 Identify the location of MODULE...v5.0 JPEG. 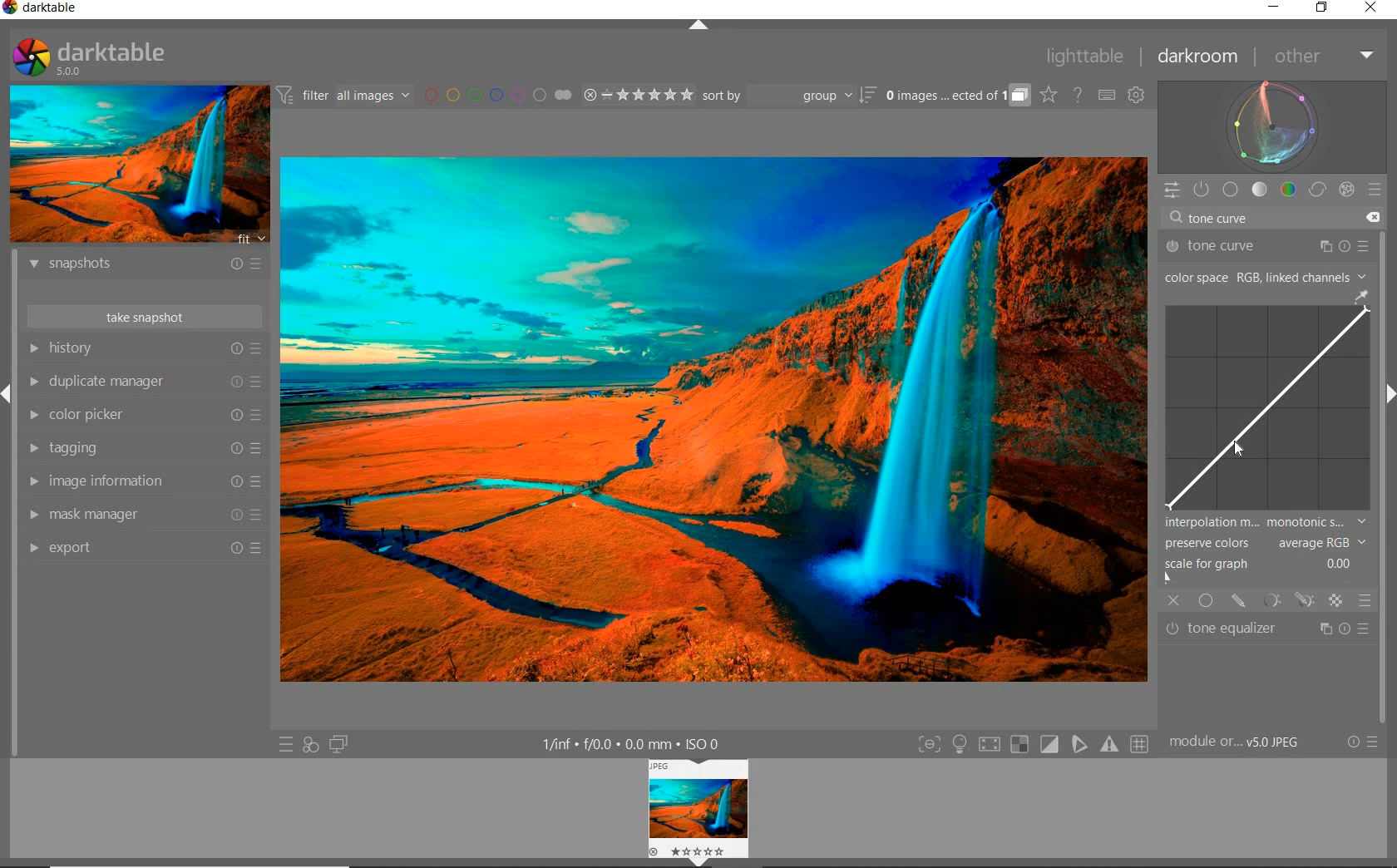
(1239, 743).